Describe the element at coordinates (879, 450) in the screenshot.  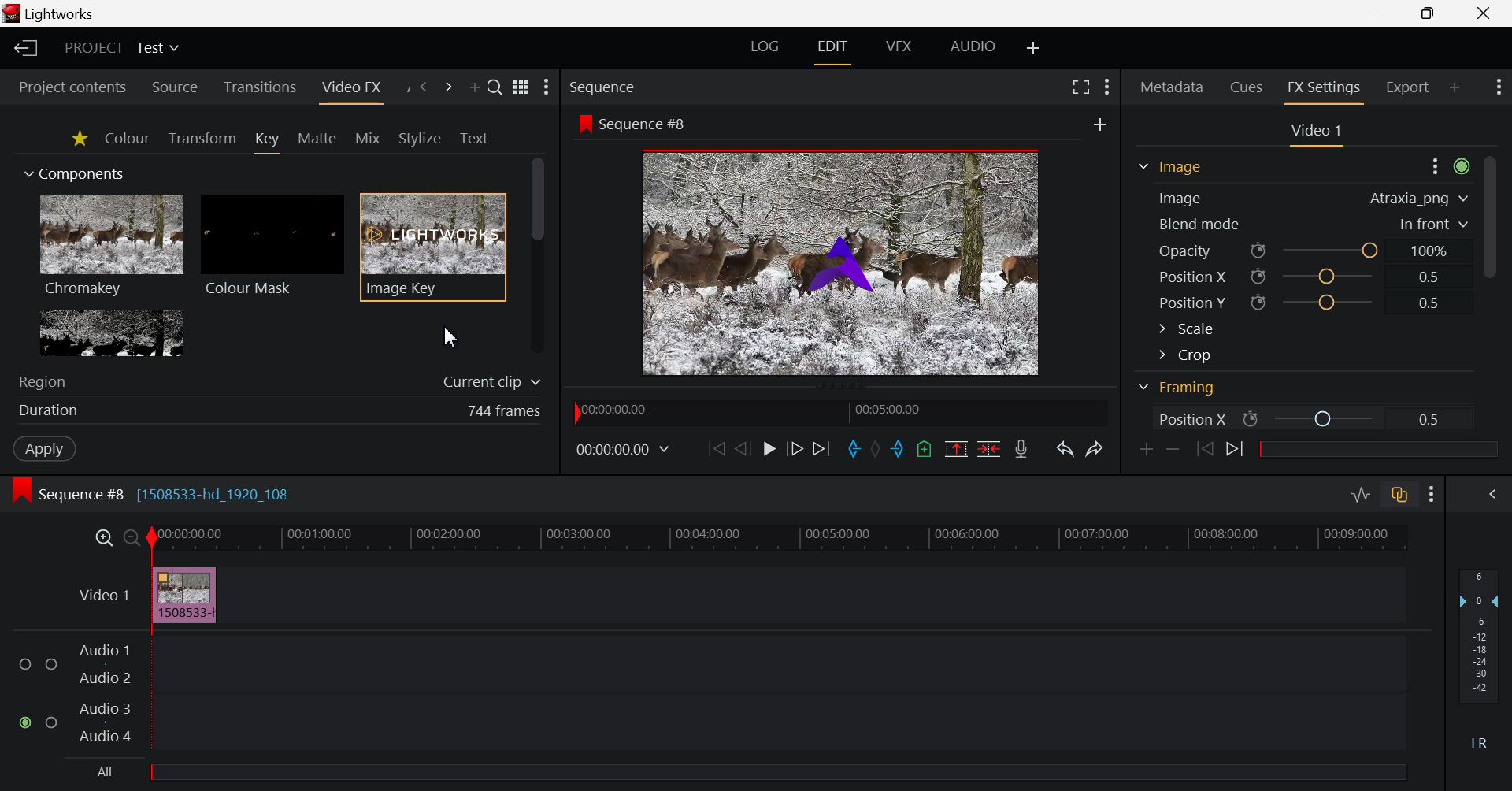
I see `Remove all marks` at that location.